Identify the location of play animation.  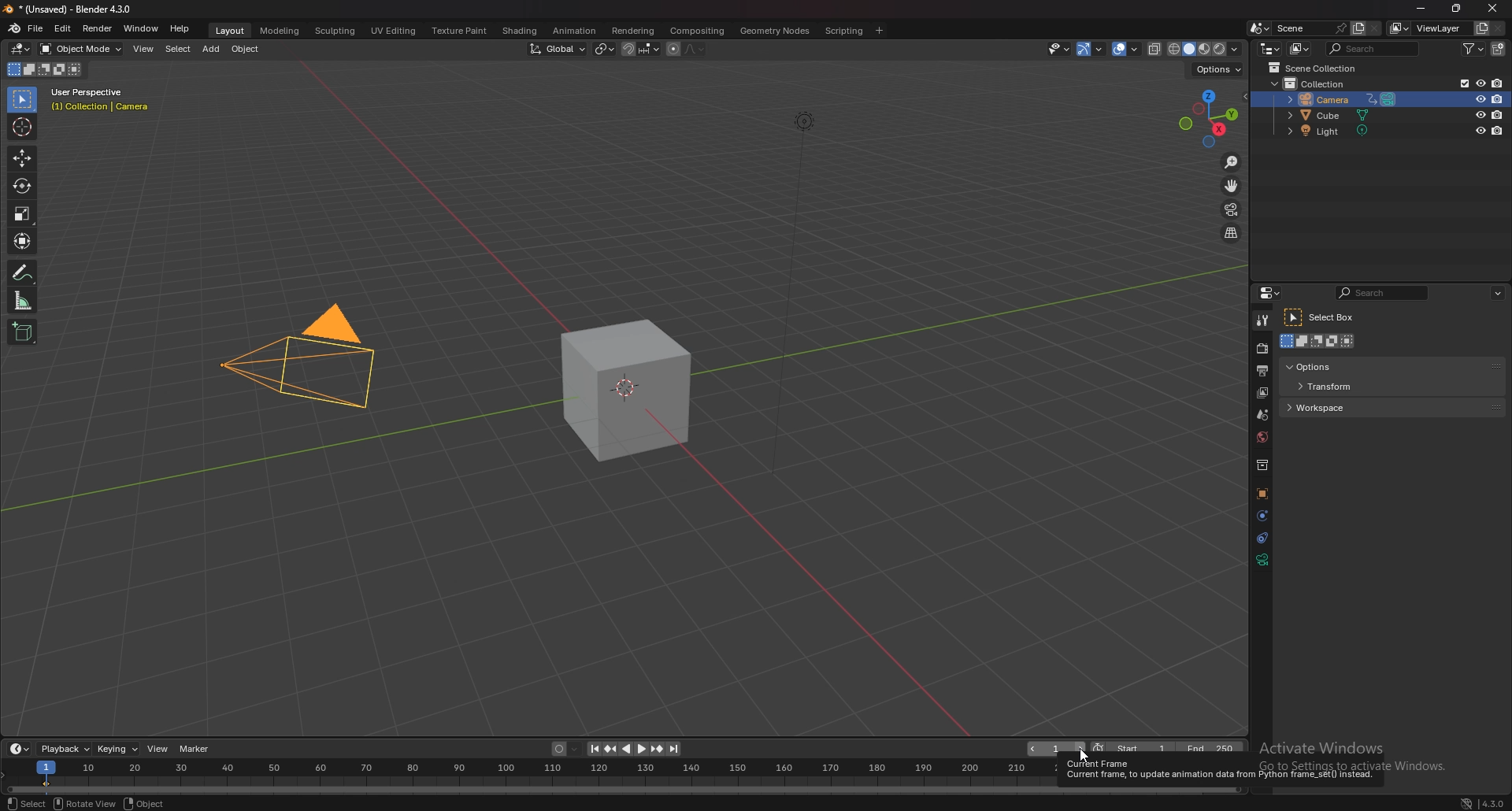
(635, 749).